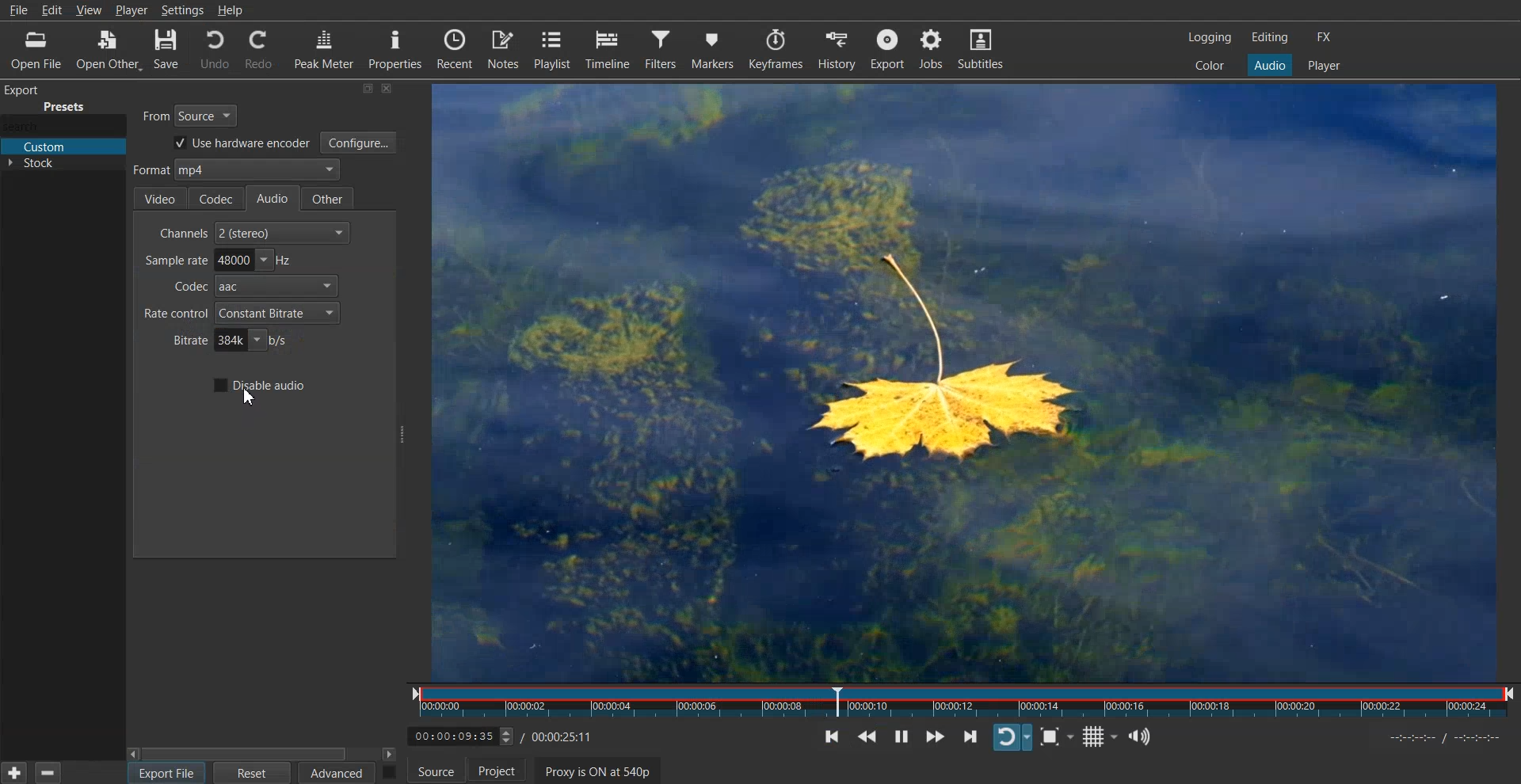 Image resolution: width=1521 pixels, height=784 pixels. I want to click on Edit, so click(54, 9).